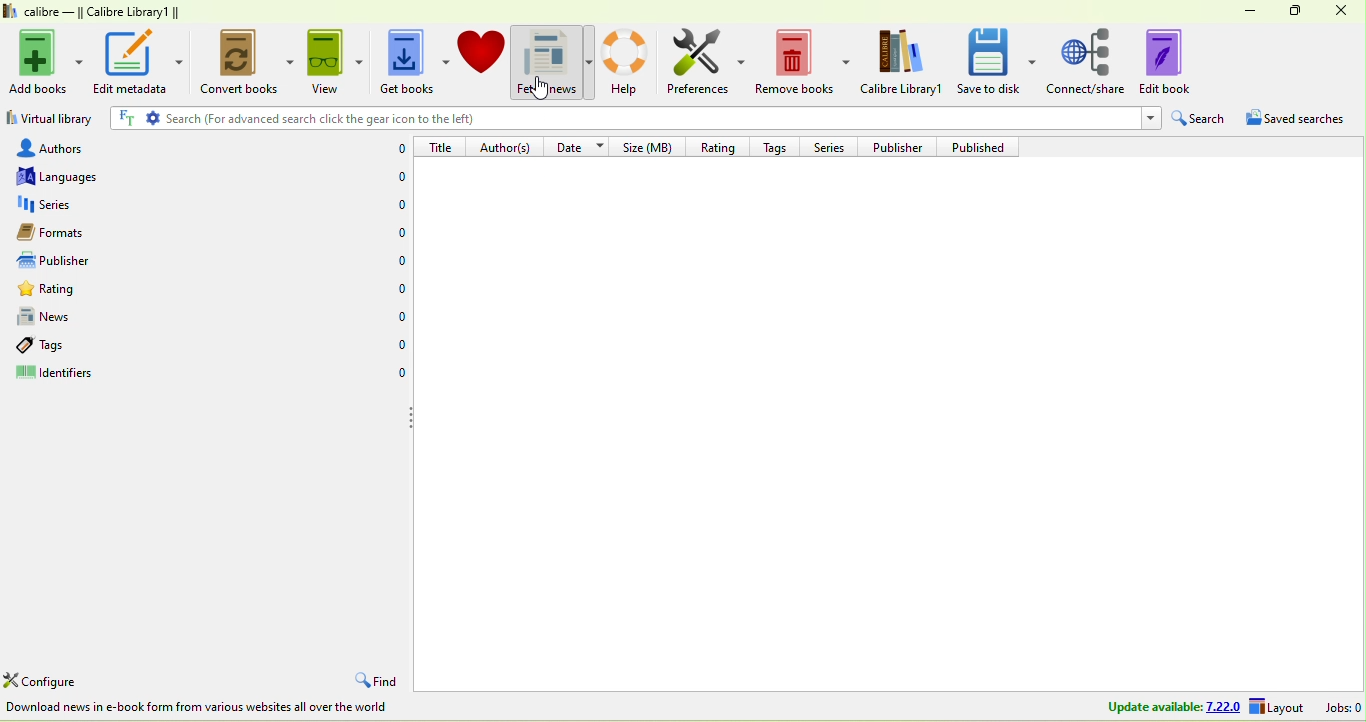 The width and height of the screenshot is (1366, 722). Describe the element at coordinates (989, 62) in the screenshot. I see `save to disk` at that location.